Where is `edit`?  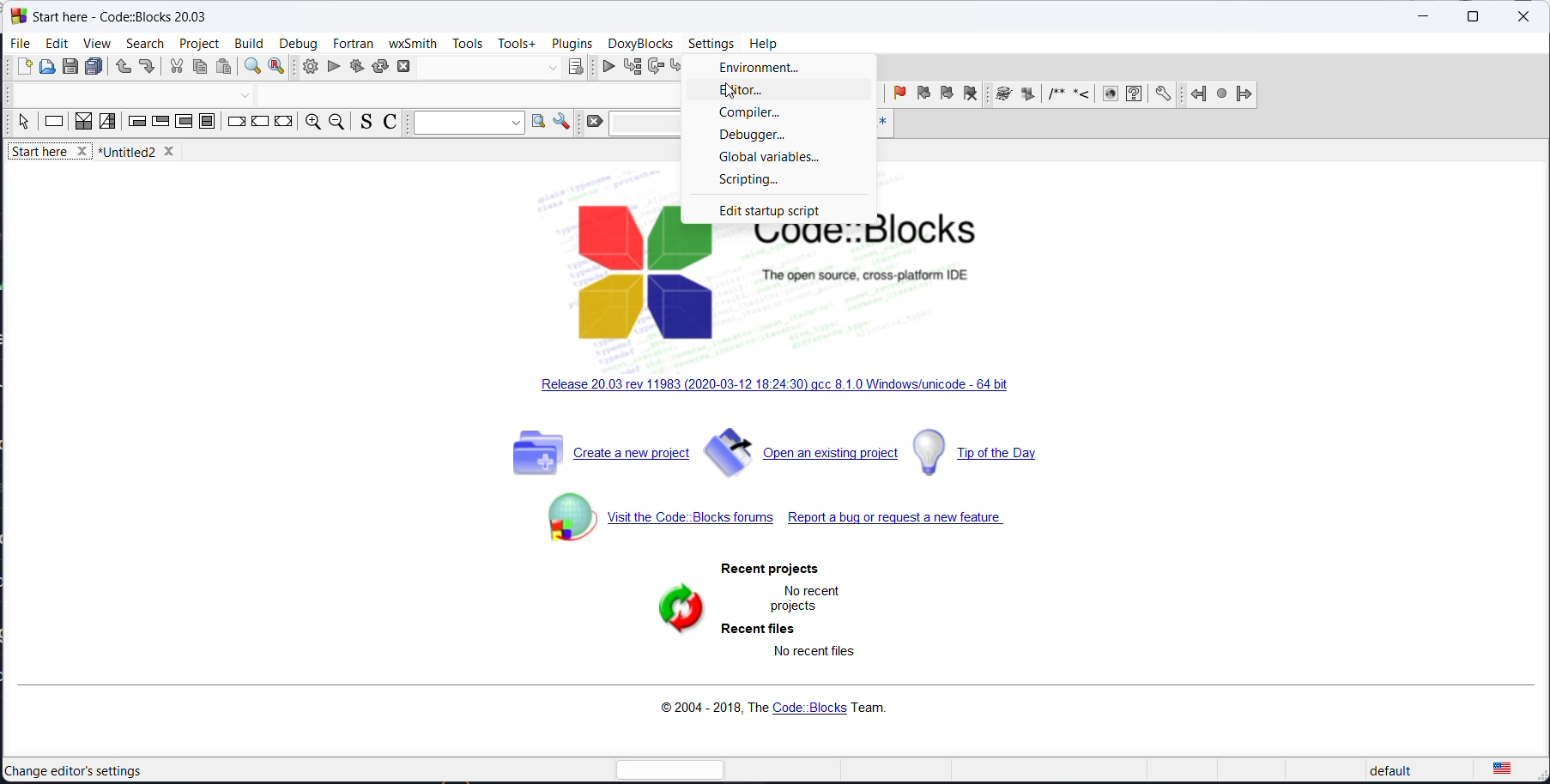
edit is located at coordinates (57, 43).